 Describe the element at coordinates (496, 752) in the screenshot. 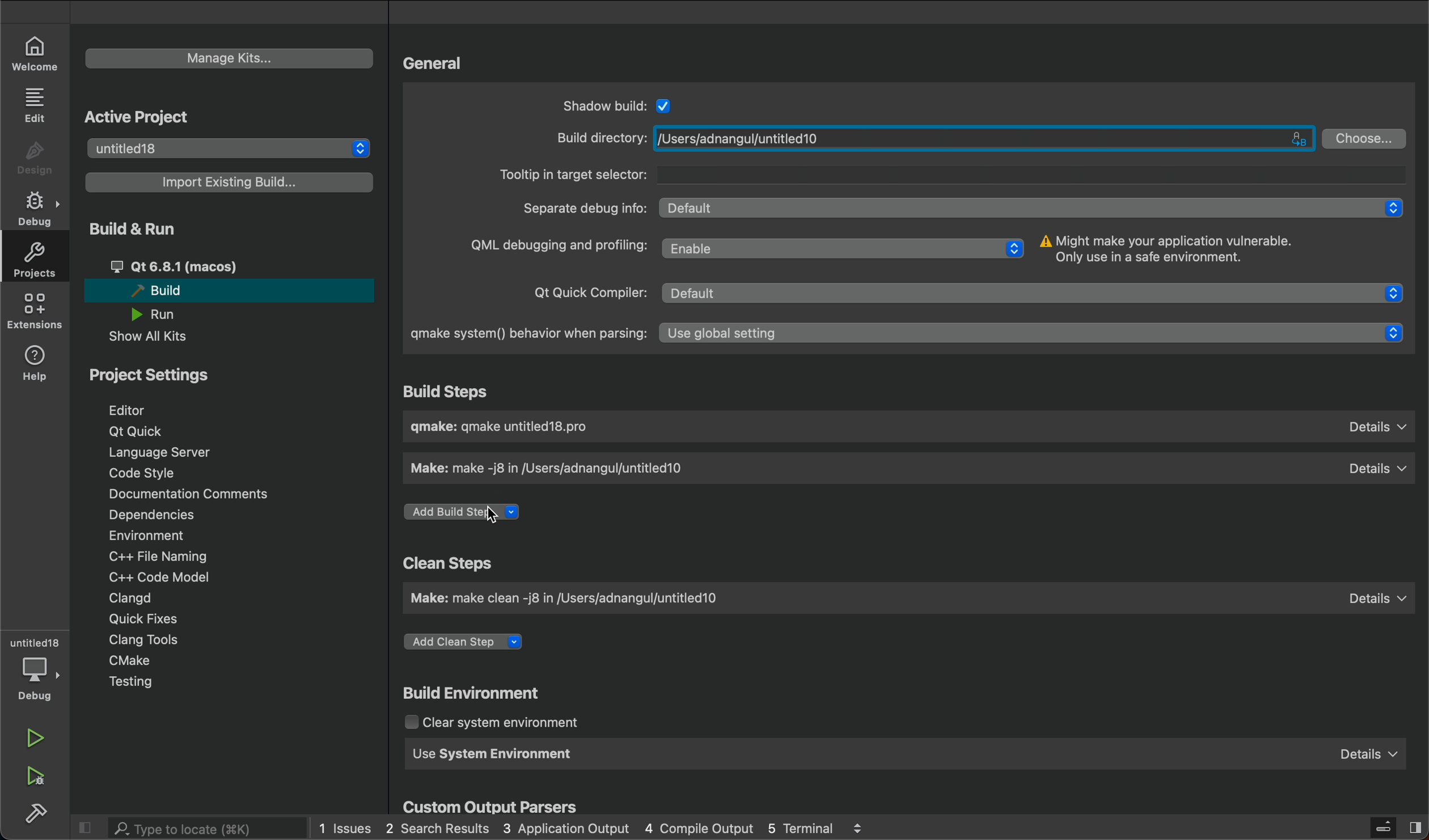

I see `Use System Environment` at that location.